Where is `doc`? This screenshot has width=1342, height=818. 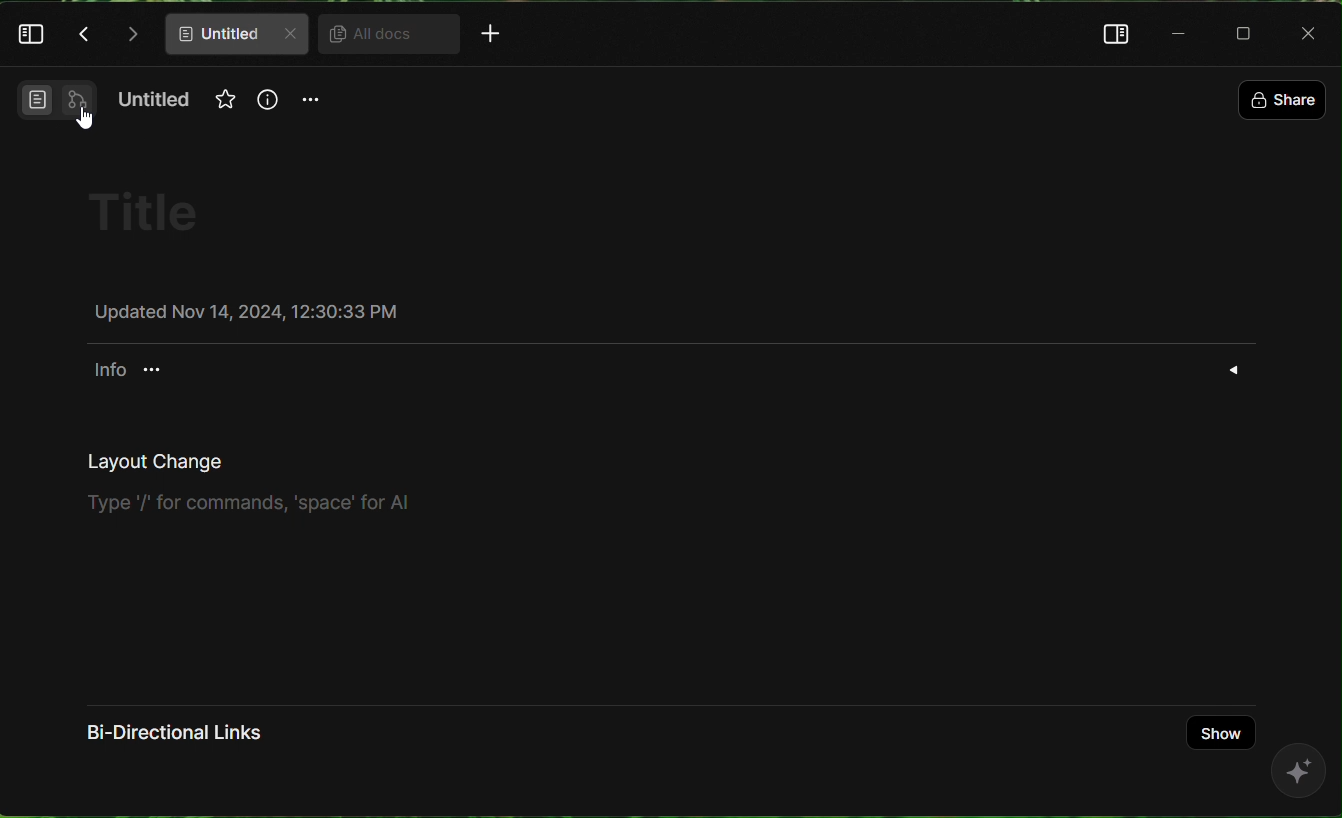 doc is located at coordinates (237, 34).